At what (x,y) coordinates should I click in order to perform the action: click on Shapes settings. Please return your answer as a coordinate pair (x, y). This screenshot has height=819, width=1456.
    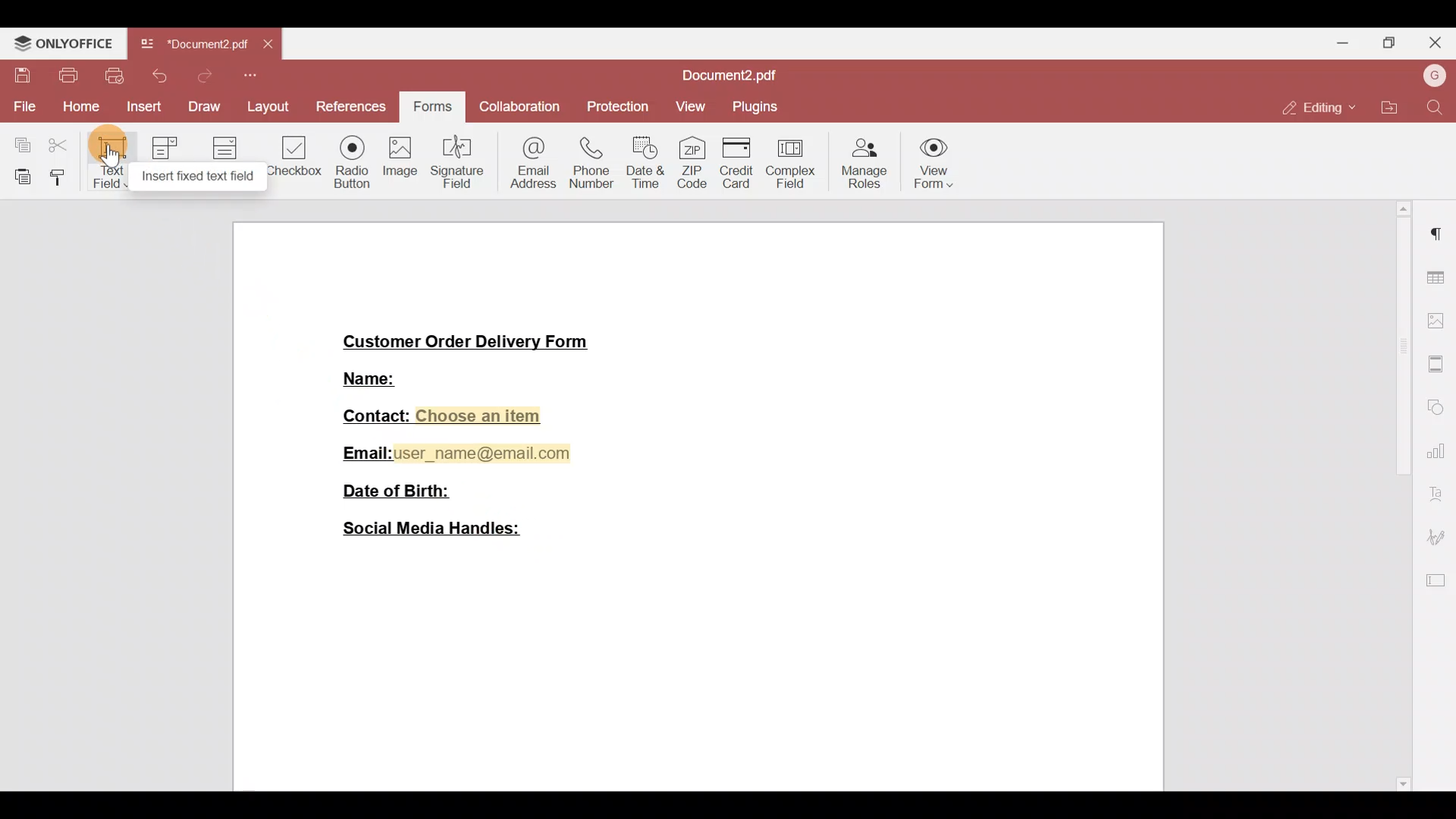
    Looking at the image, I should click on (1441, 407).